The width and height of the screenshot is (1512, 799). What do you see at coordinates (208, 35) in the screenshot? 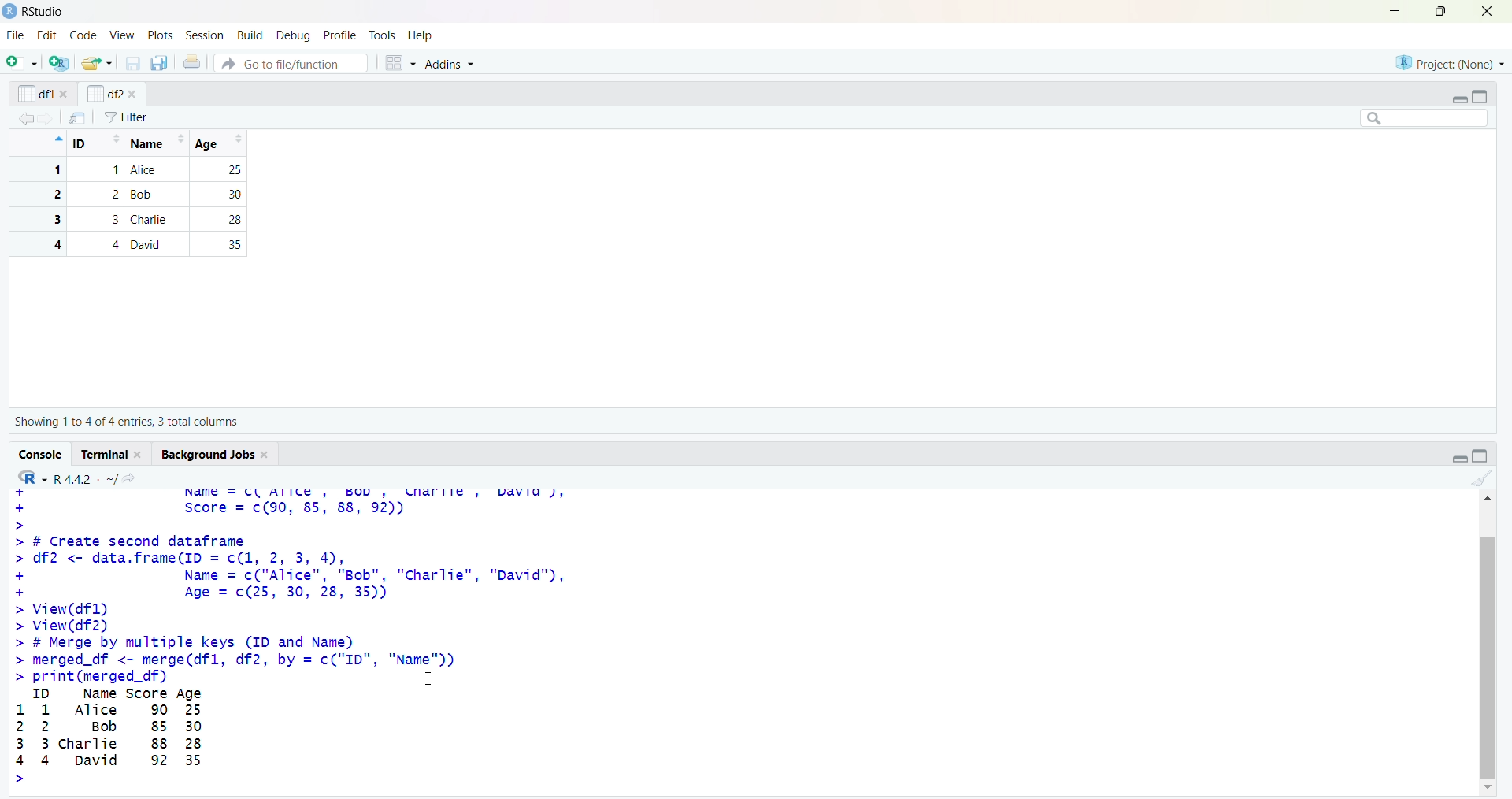
I see `session` at bounding box center [208, 35].